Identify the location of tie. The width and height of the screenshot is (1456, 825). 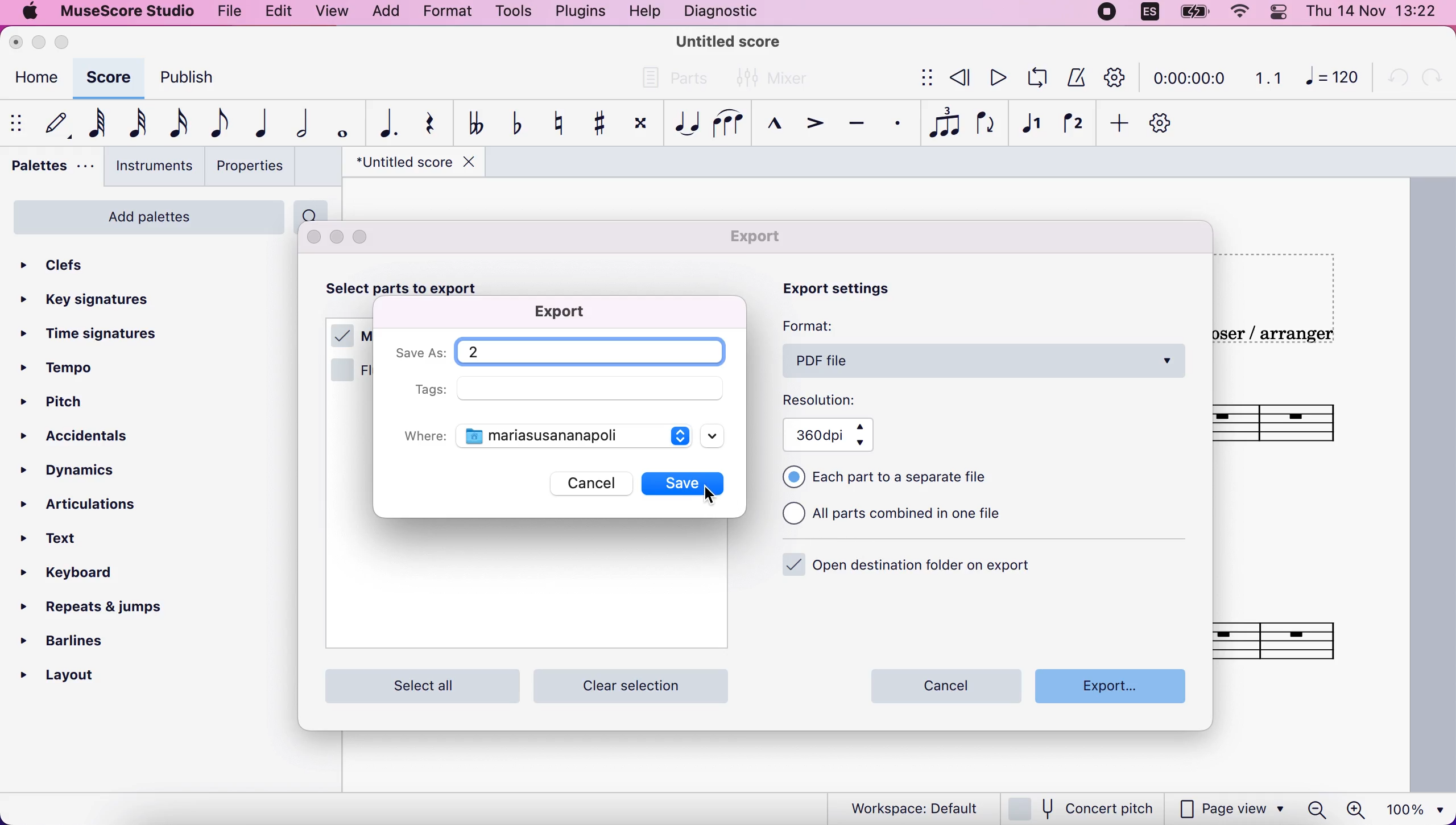
(685, 125).